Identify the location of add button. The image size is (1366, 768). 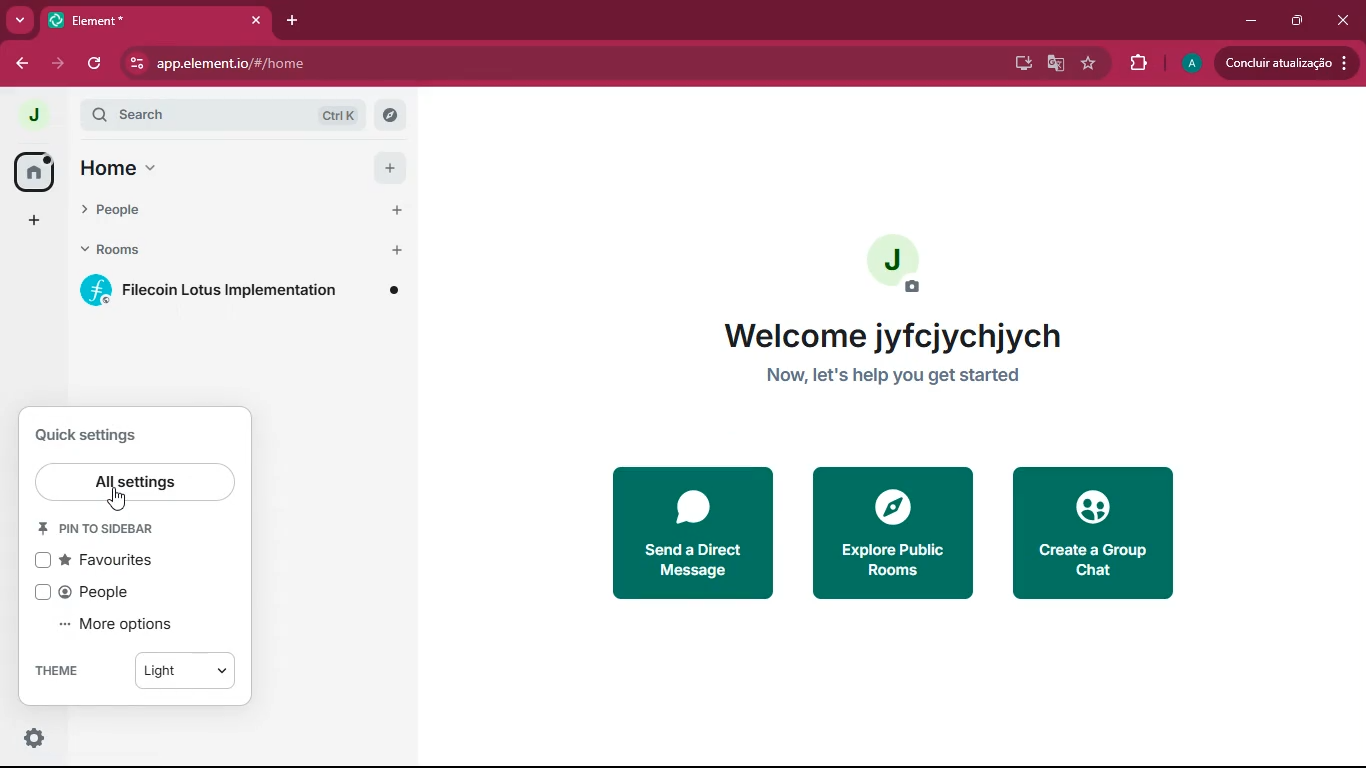
(389, 168).